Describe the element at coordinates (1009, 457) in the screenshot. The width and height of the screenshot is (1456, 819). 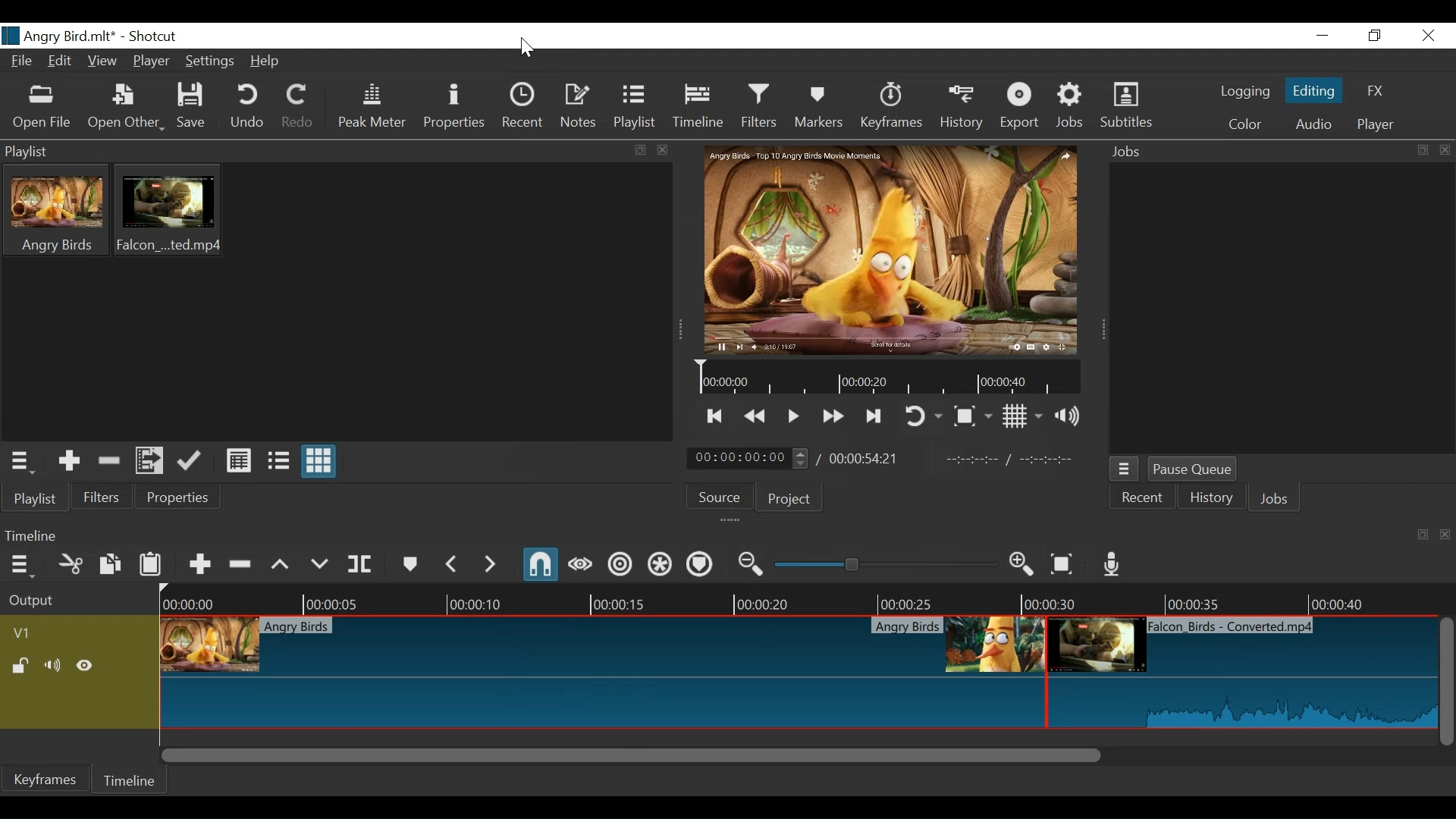
I see `In point` at that location.